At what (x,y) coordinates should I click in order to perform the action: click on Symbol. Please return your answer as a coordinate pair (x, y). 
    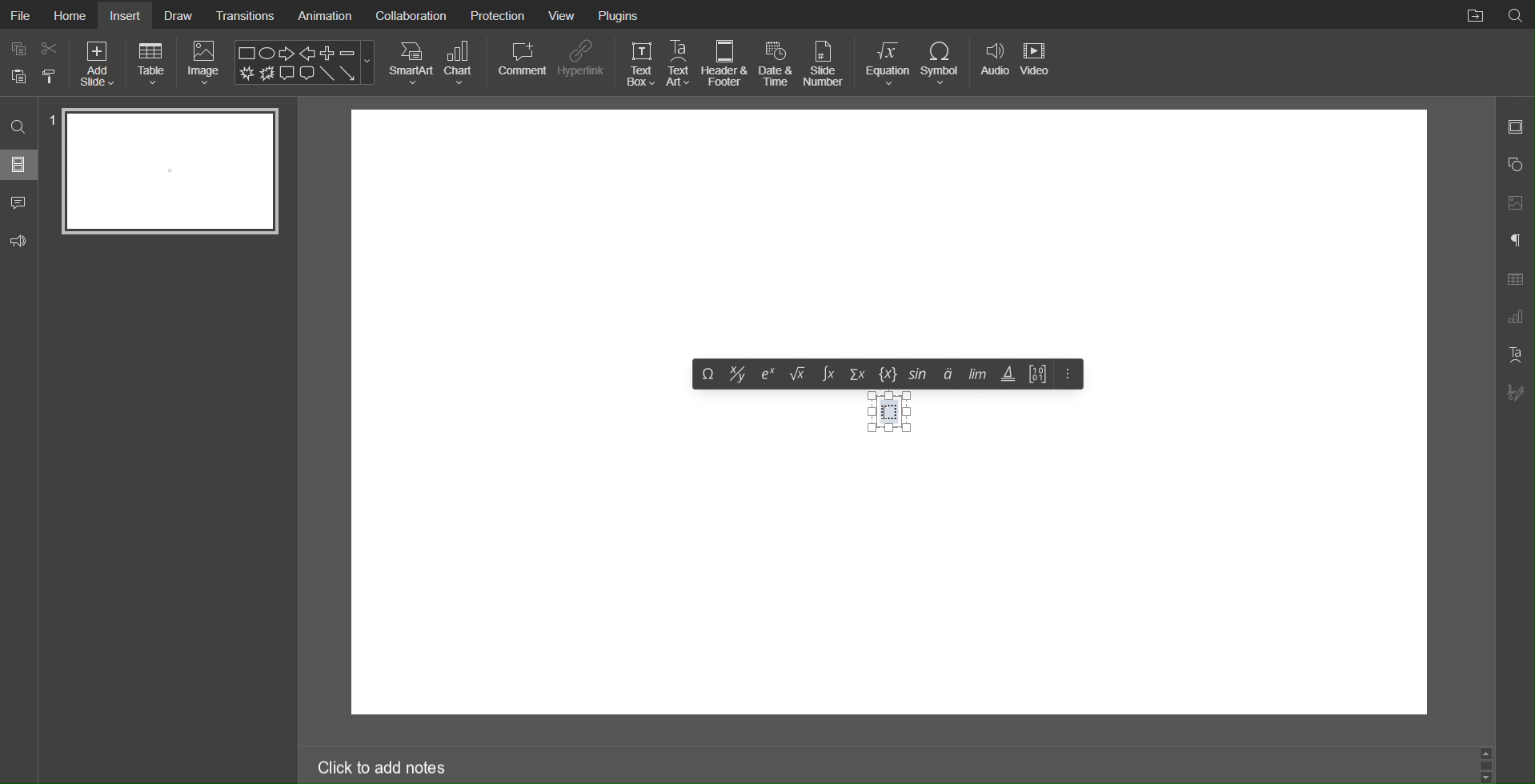
    Looking at the image, I should click on (945, 63).